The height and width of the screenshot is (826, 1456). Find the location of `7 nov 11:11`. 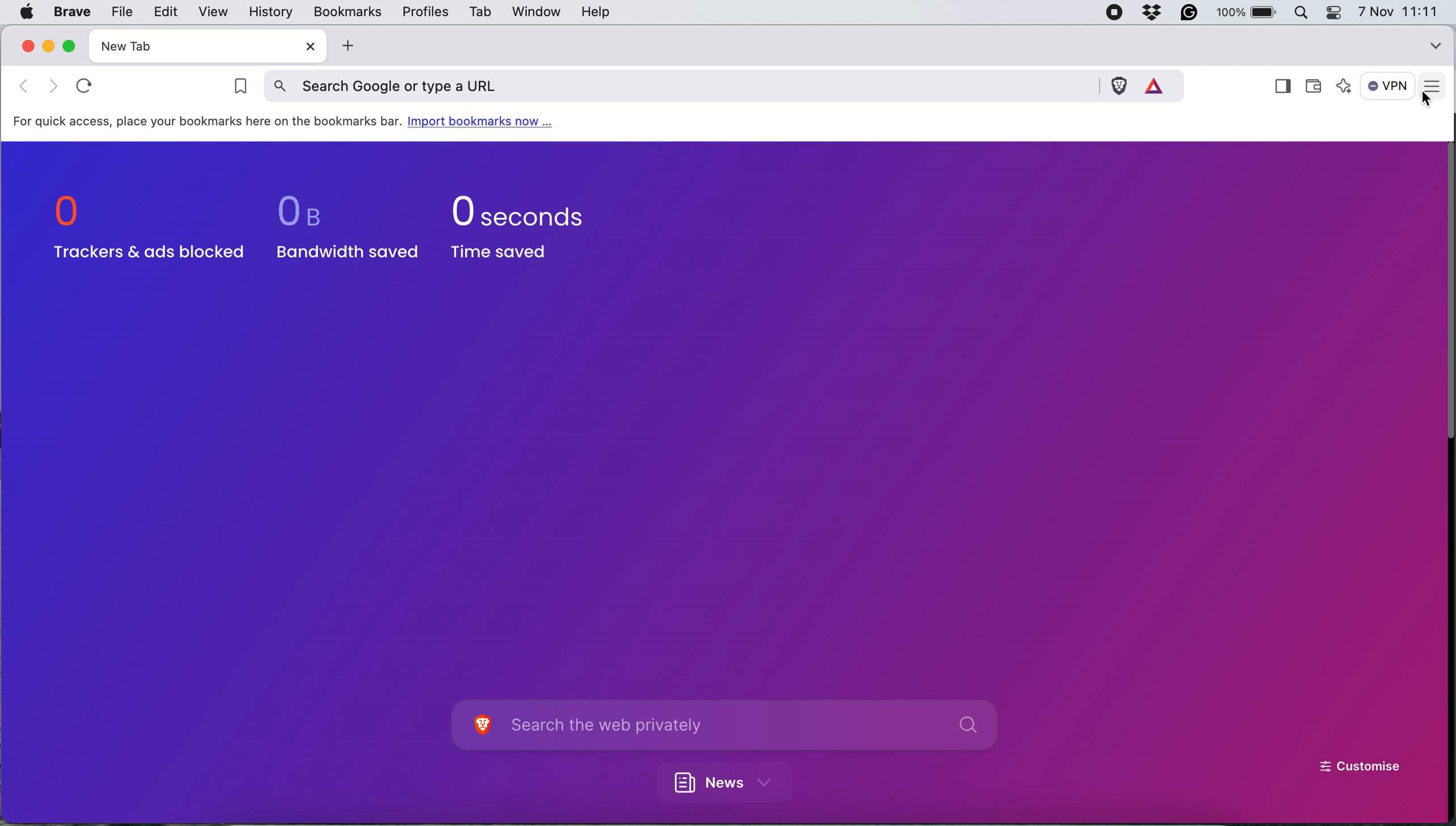

7 nov 11:11 is located at coordinates (1398, 12).